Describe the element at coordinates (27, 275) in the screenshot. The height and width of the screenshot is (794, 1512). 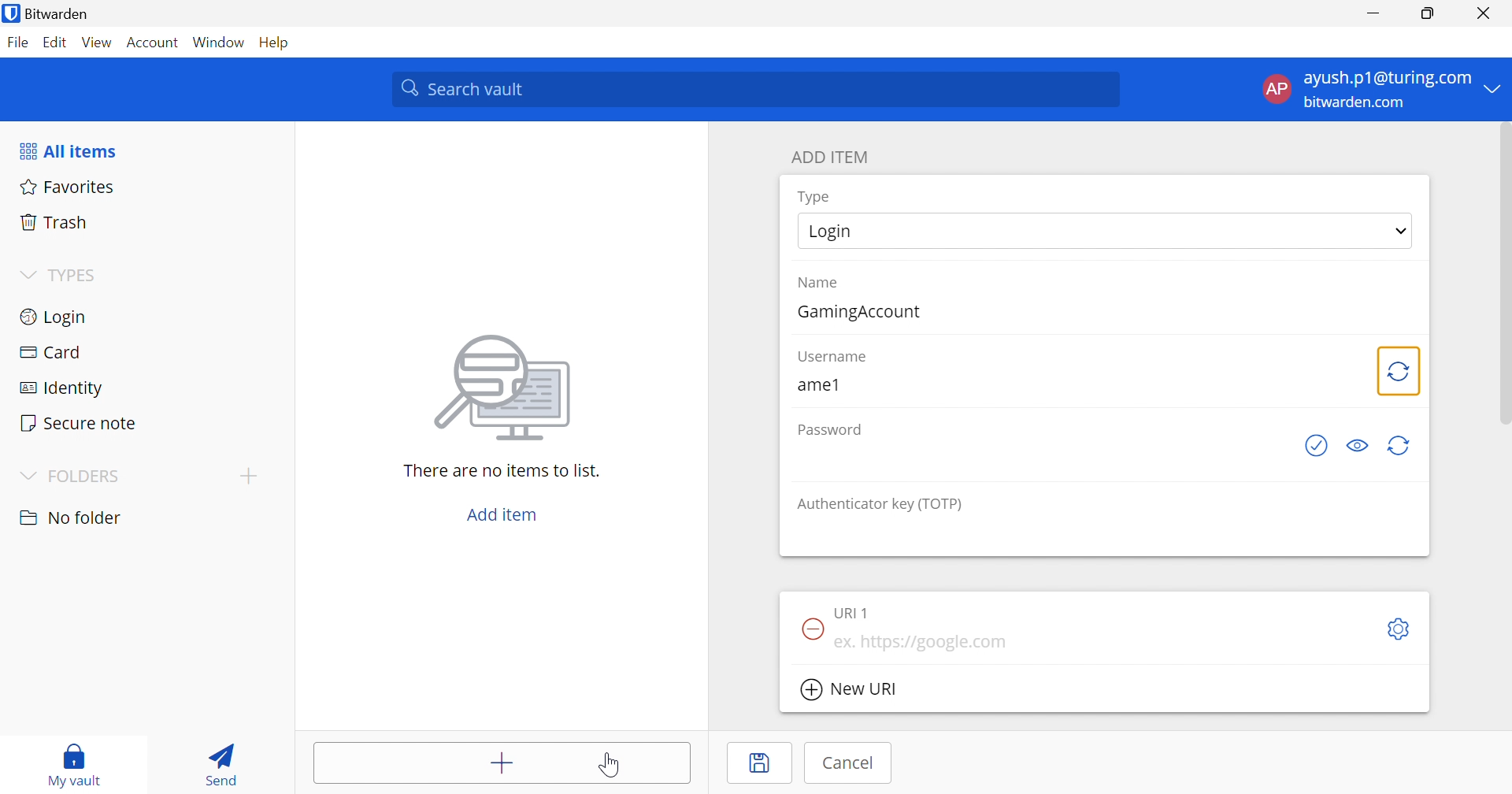
I see `Drop Down` at that location.